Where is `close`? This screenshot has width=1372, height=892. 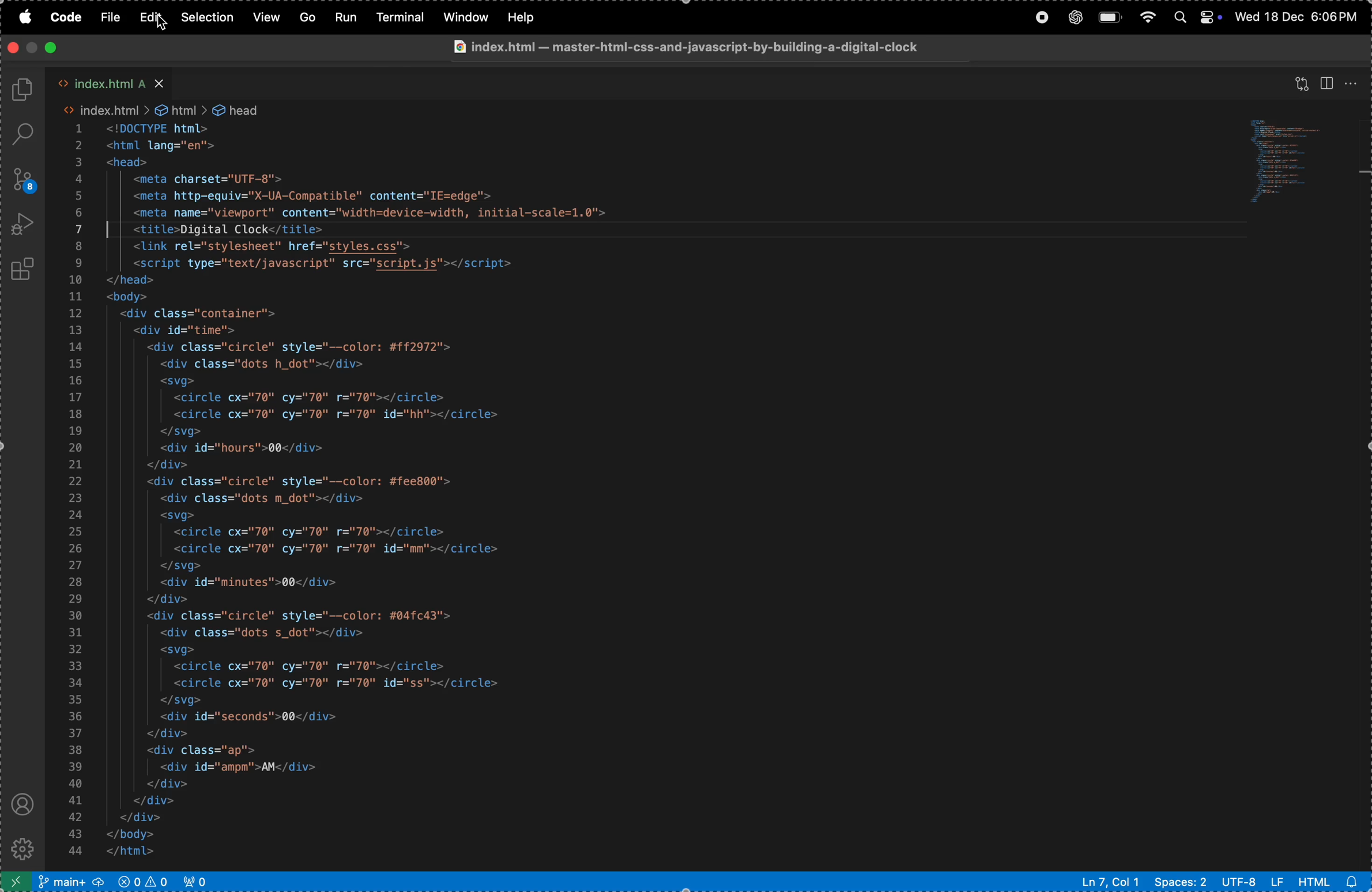 close is located at coordinates (12, 48).